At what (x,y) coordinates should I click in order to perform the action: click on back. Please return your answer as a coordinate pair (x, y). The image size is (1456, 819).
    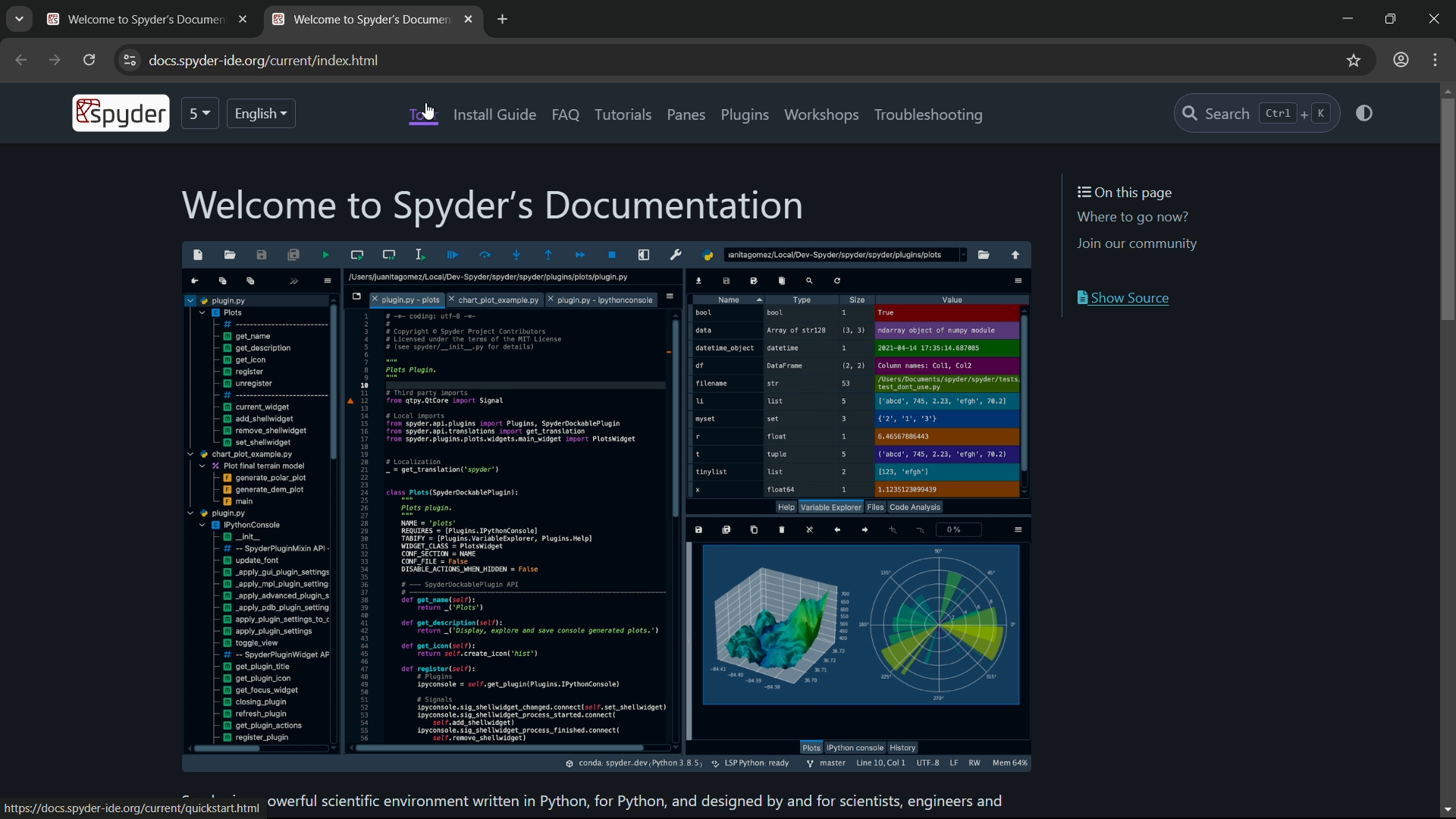
    Looking at the image, I should click on (20, 61).